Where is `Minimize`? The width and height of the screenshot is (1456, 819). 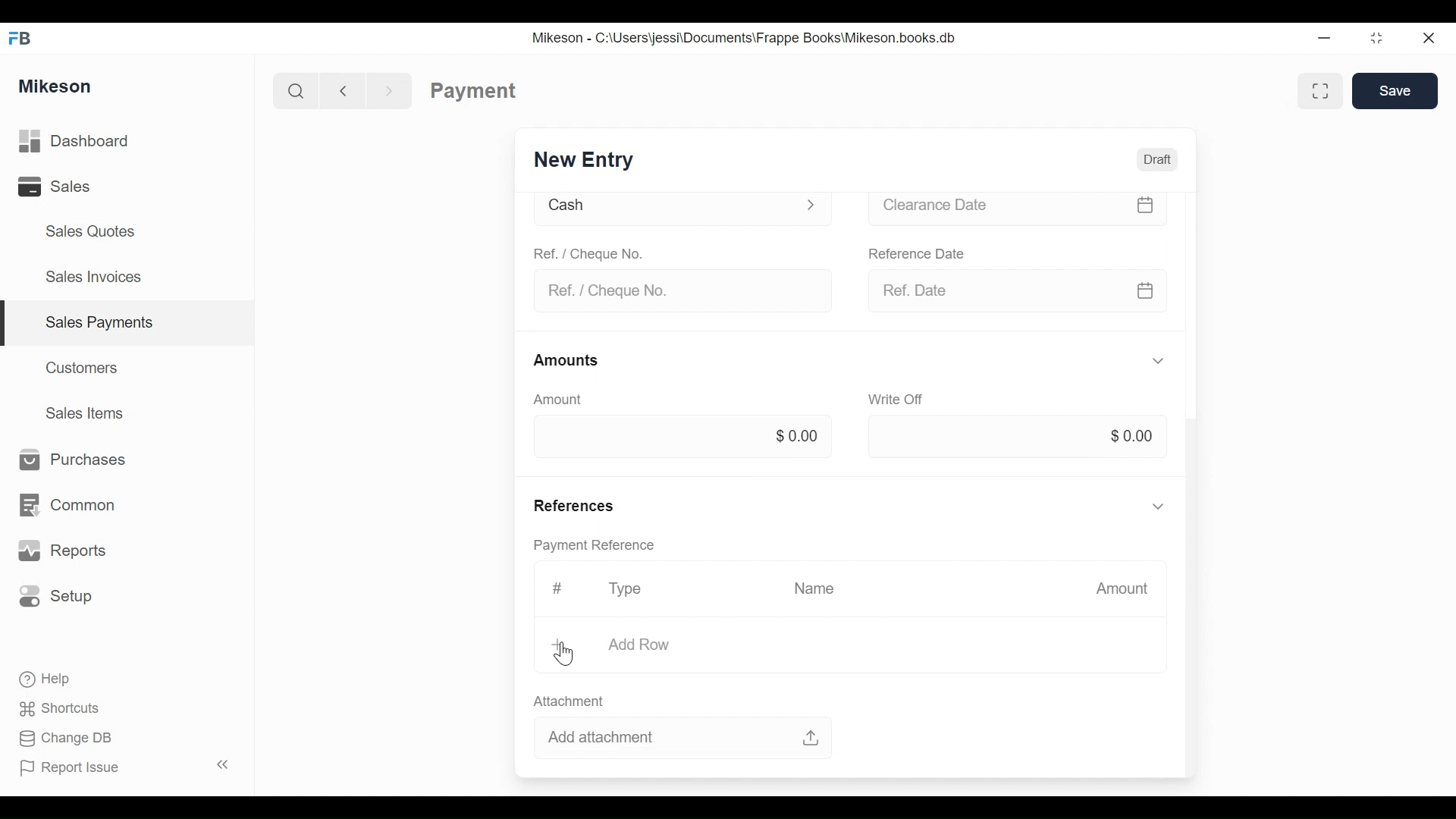
Minimize is located at coordinates (1324, 40).